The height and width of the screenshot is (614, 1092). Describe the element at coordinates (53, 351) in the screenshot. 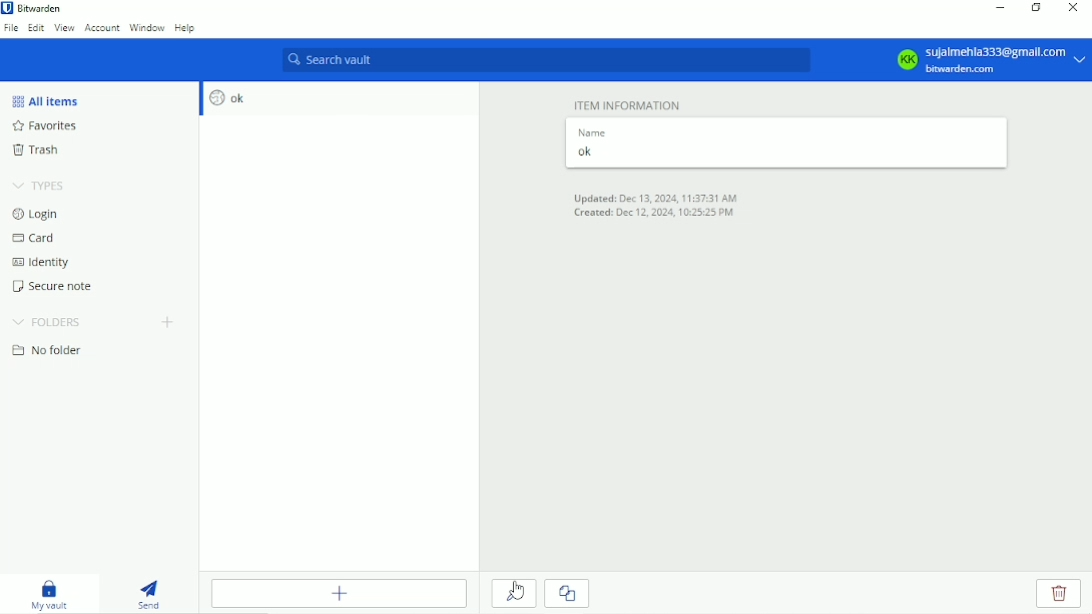

I see `No folder` at that location.